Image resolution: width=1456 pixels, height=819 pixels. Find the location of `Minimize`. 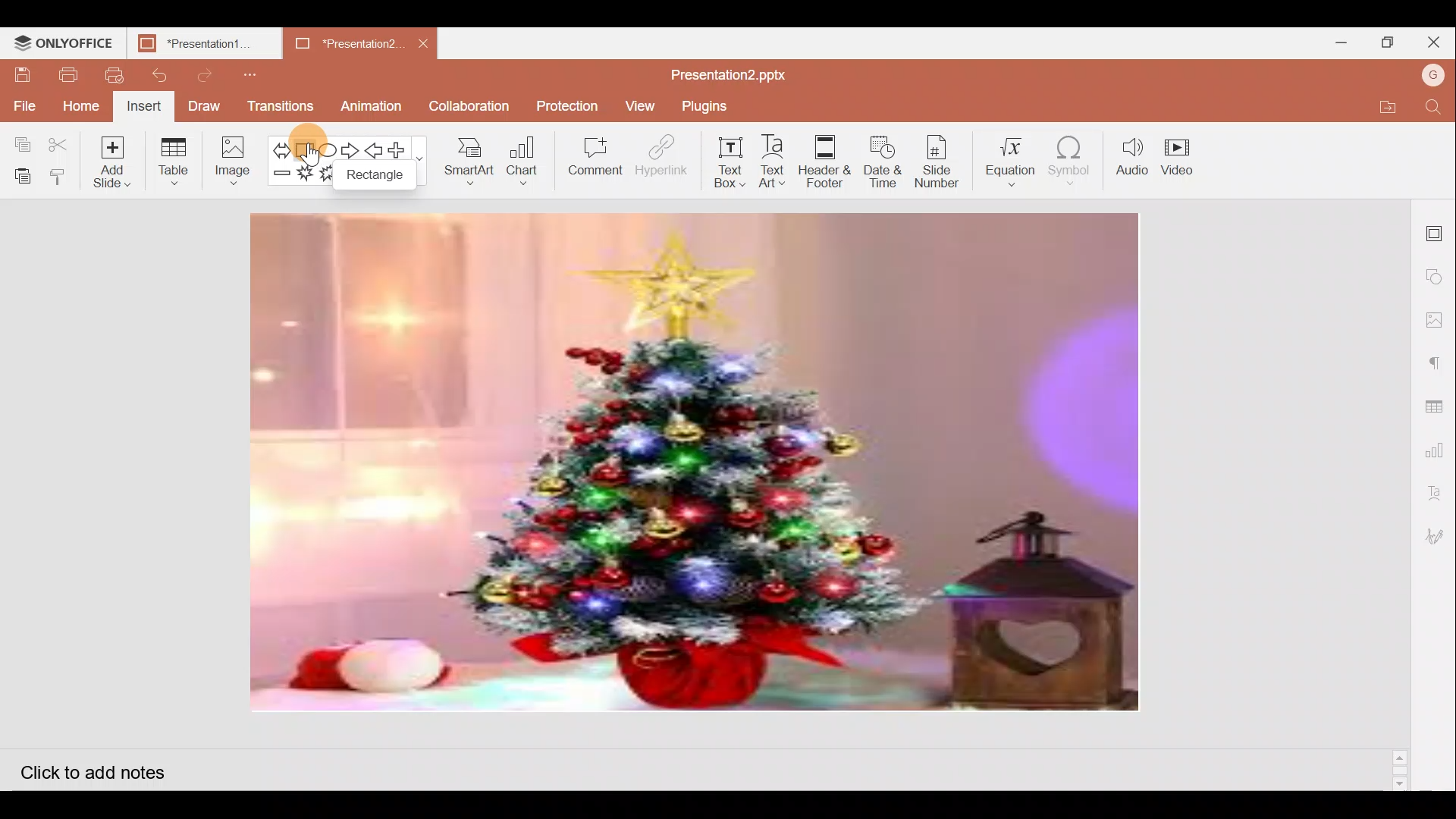

Minimize is located at coordinates (1341, 42).